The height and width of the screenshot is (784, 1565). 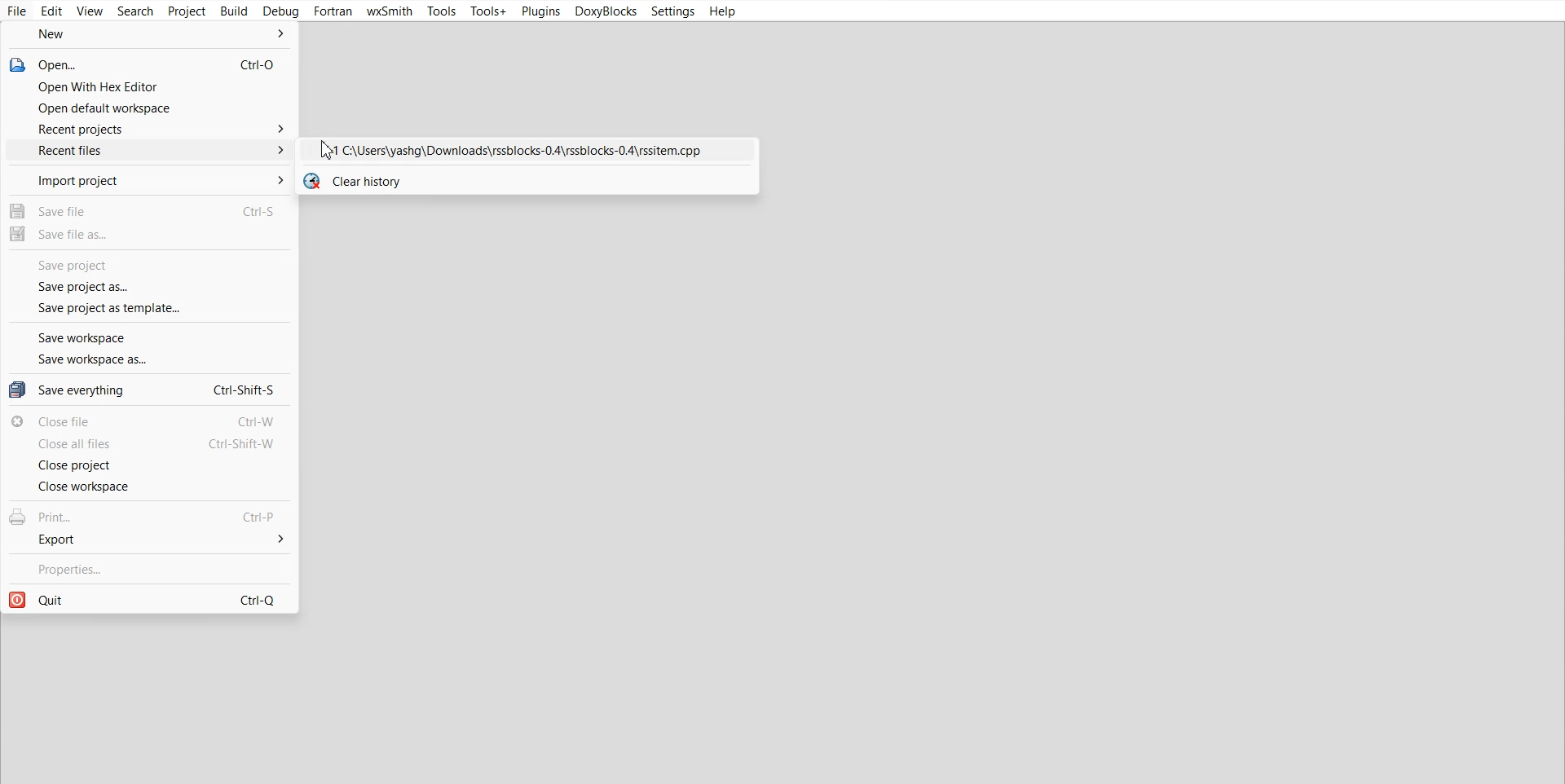 I want to click on Debug, so click(x=281, y=11).